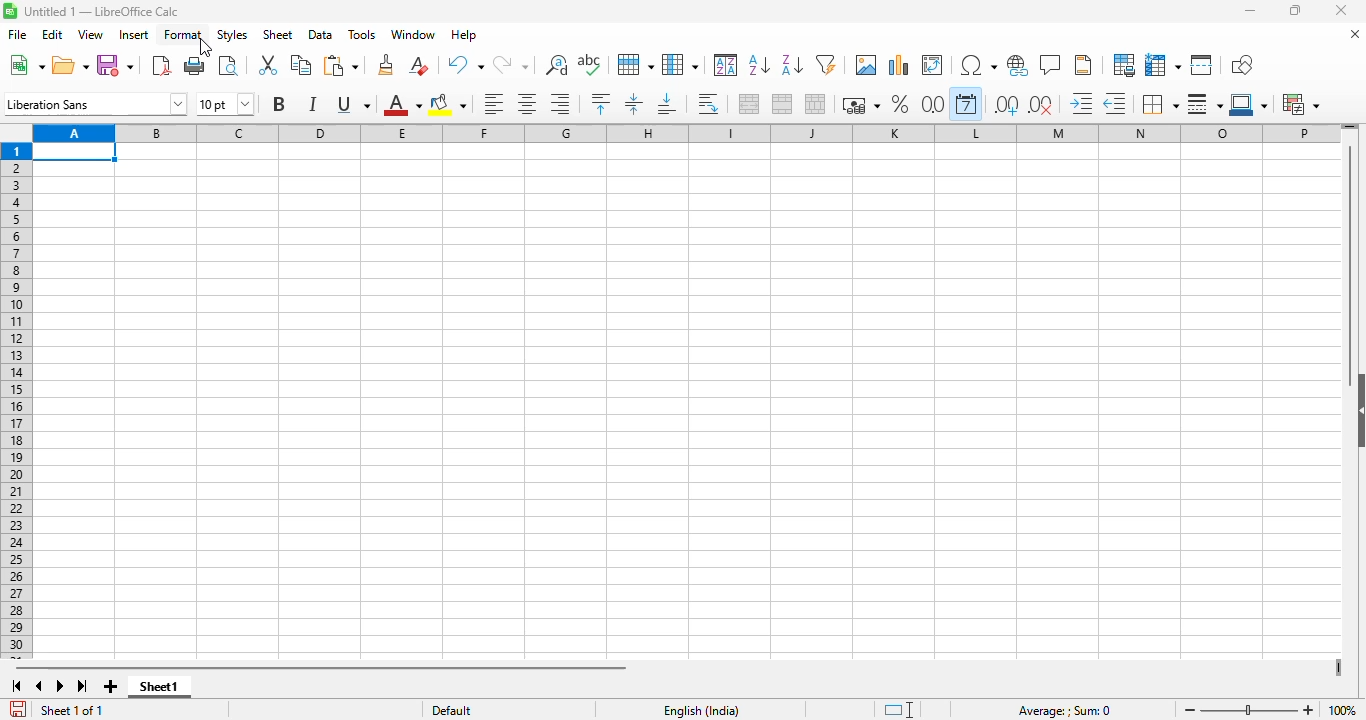 The width and height of the screenshot is (1366, 720). I want to click on help, so click(464, 34).